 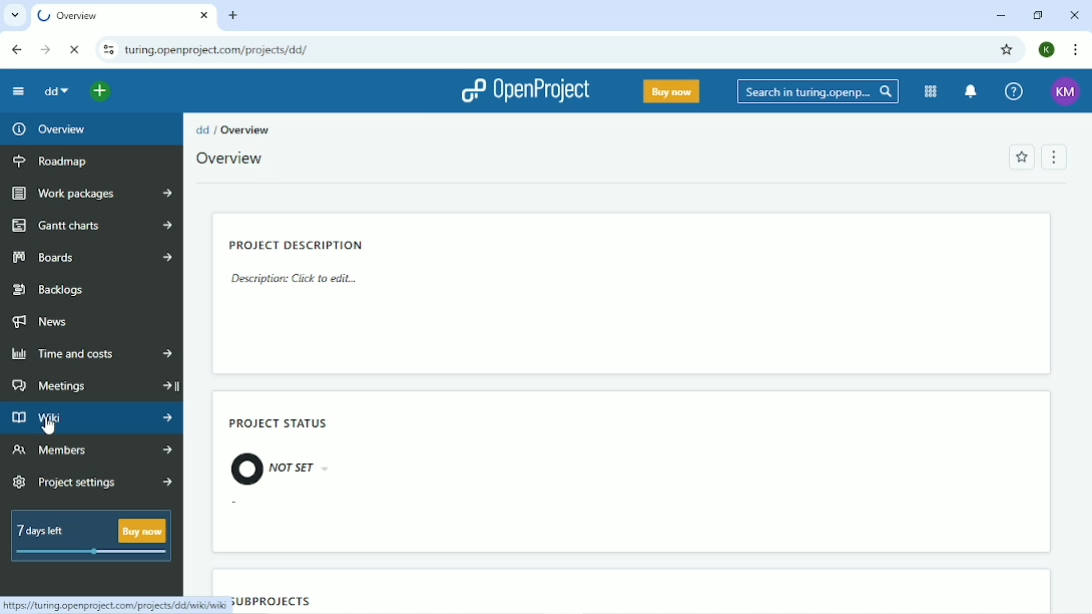 What do you see at coordinates (1001, 16) in the screenshot?
I see `Minimize` at bounding box center [1001, 16].